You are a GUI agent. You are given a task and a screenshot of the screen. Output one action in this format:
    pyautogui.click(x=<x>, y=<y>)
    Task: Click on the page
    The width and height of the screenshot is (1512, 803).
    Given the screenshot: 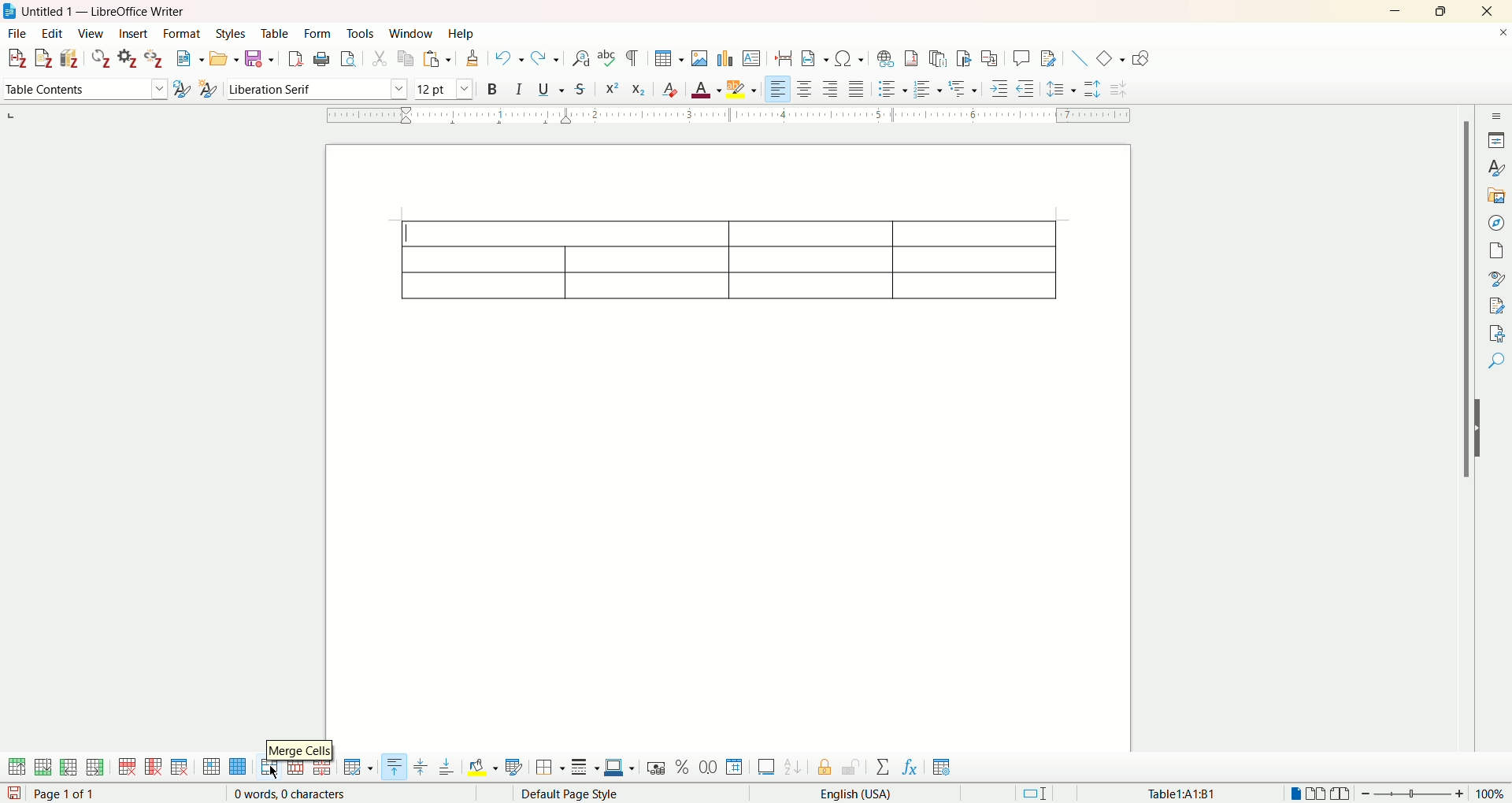 What is the action you would take?
    pyautogui.click(x=1494, y=252)
    